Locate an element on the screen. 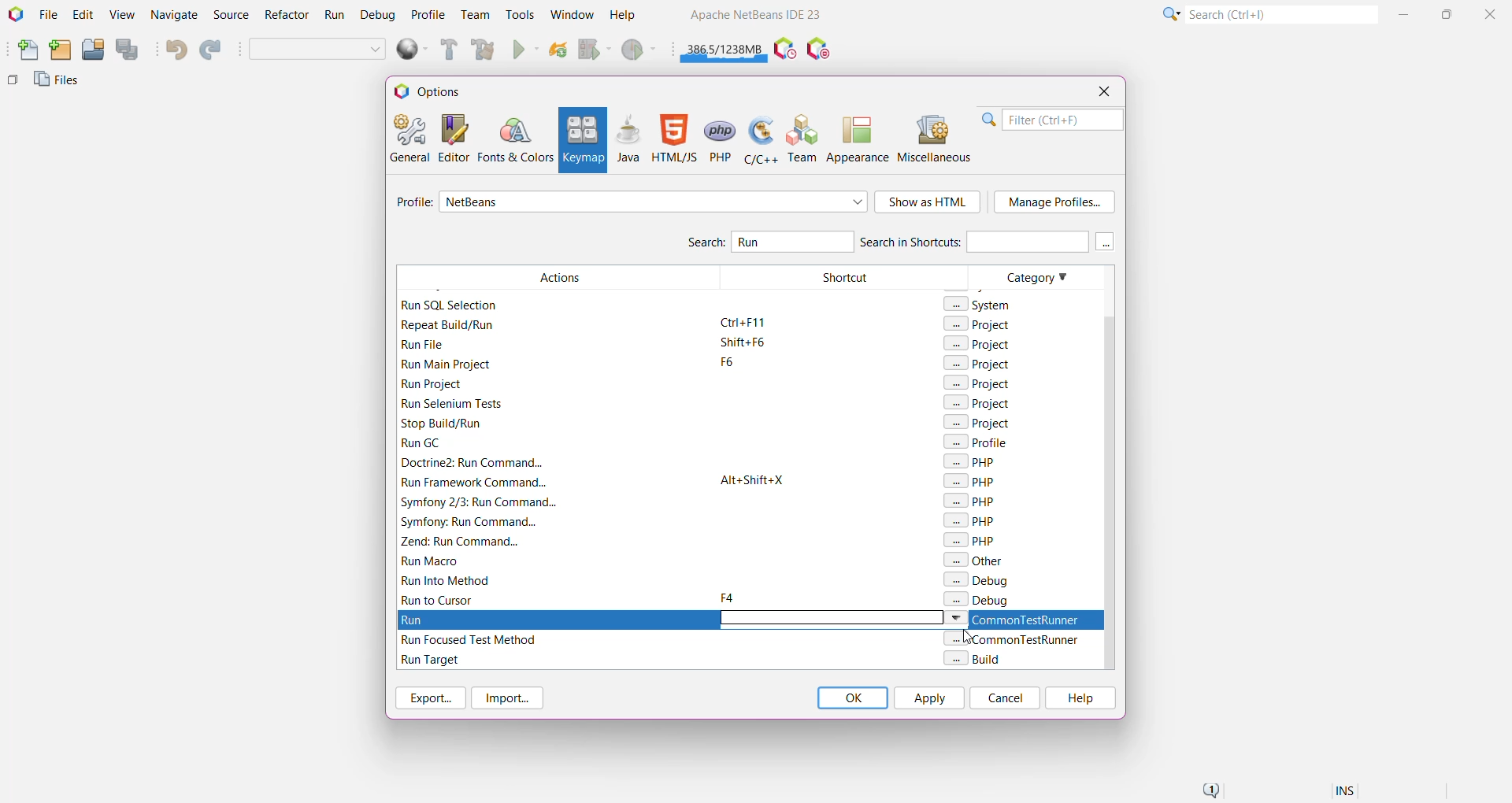 This screenshot has width=1512, height=803. Debug  is located at coordinates (376, 16).